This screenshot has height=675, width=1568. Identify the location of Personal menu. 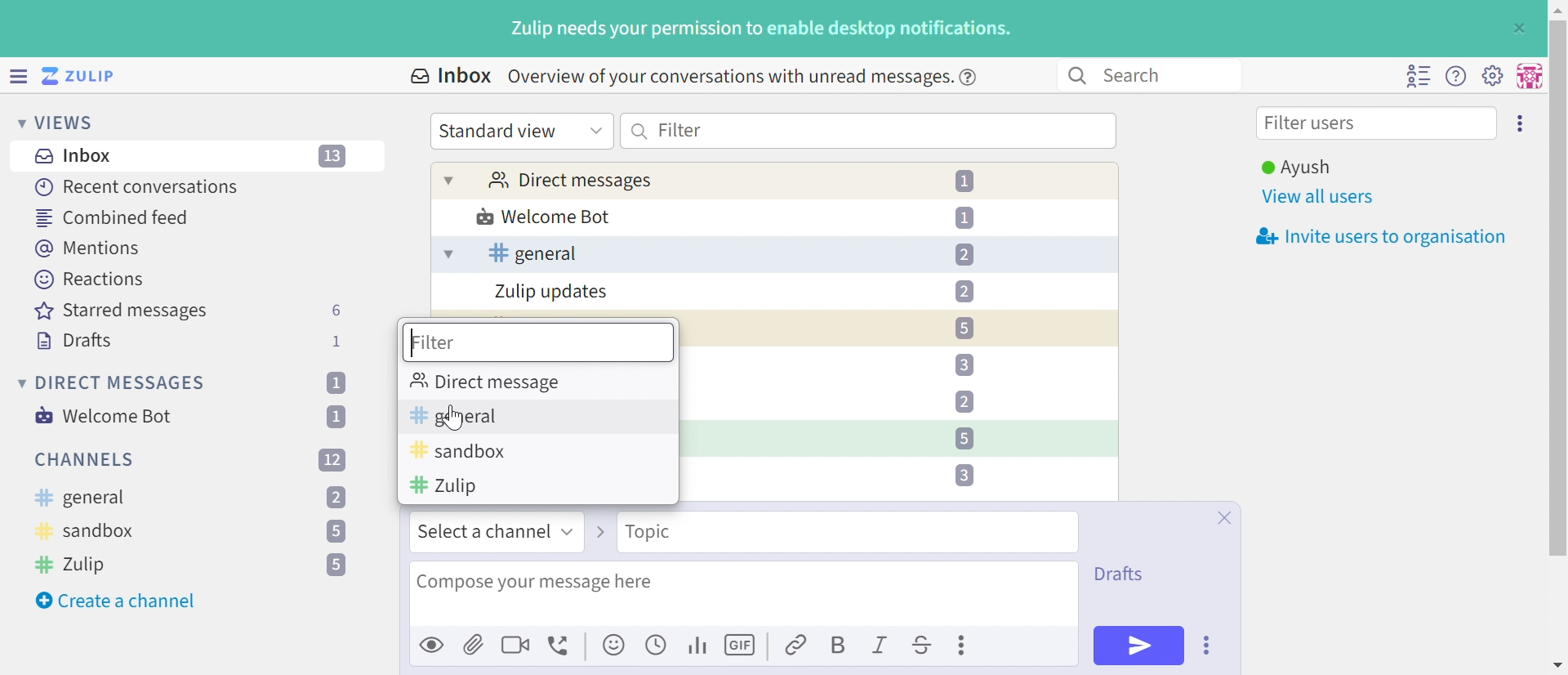
(1527, 76).